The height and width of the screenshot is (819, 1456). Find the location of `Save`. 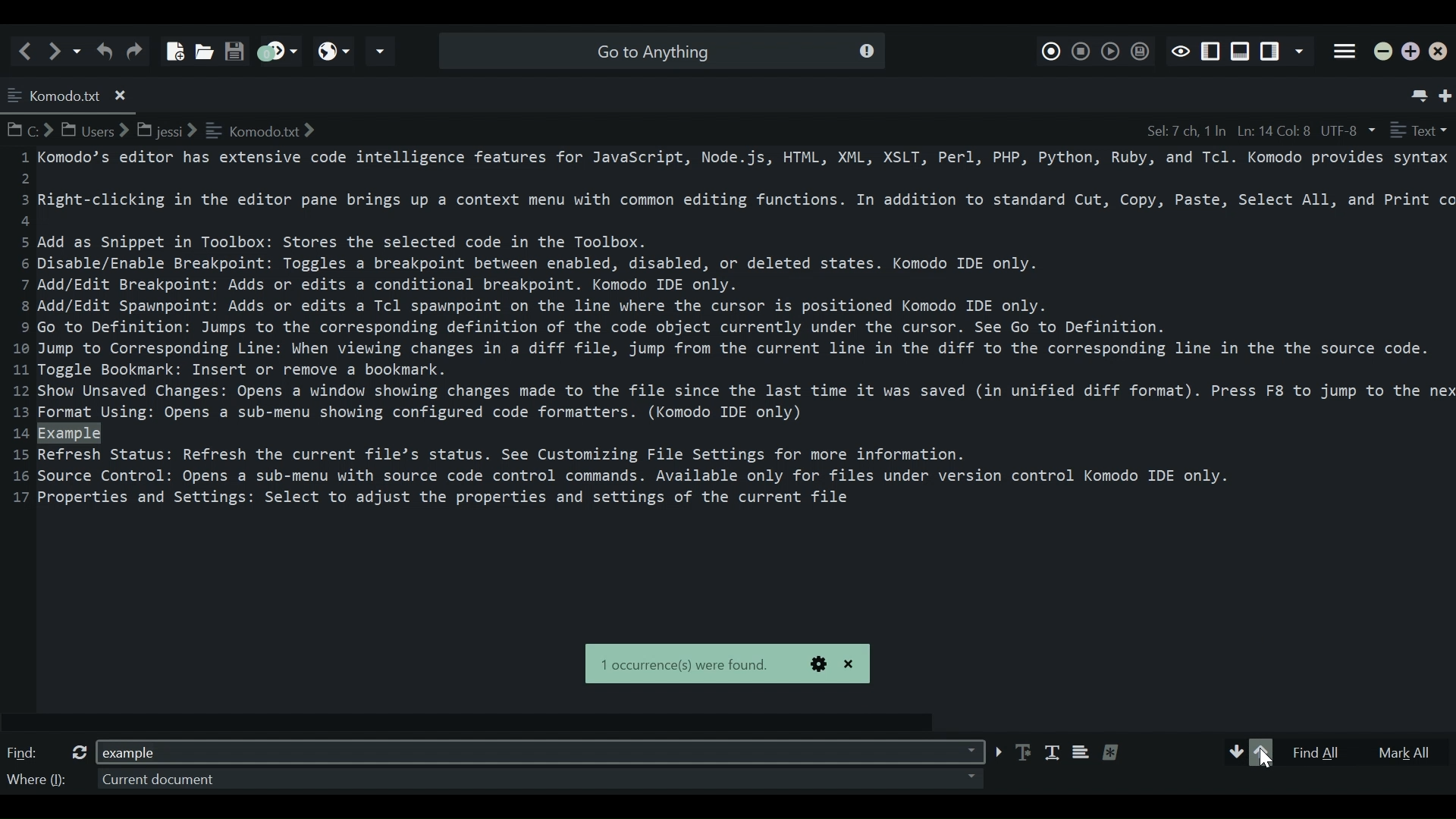

Save is located at coordinates (234, 46).